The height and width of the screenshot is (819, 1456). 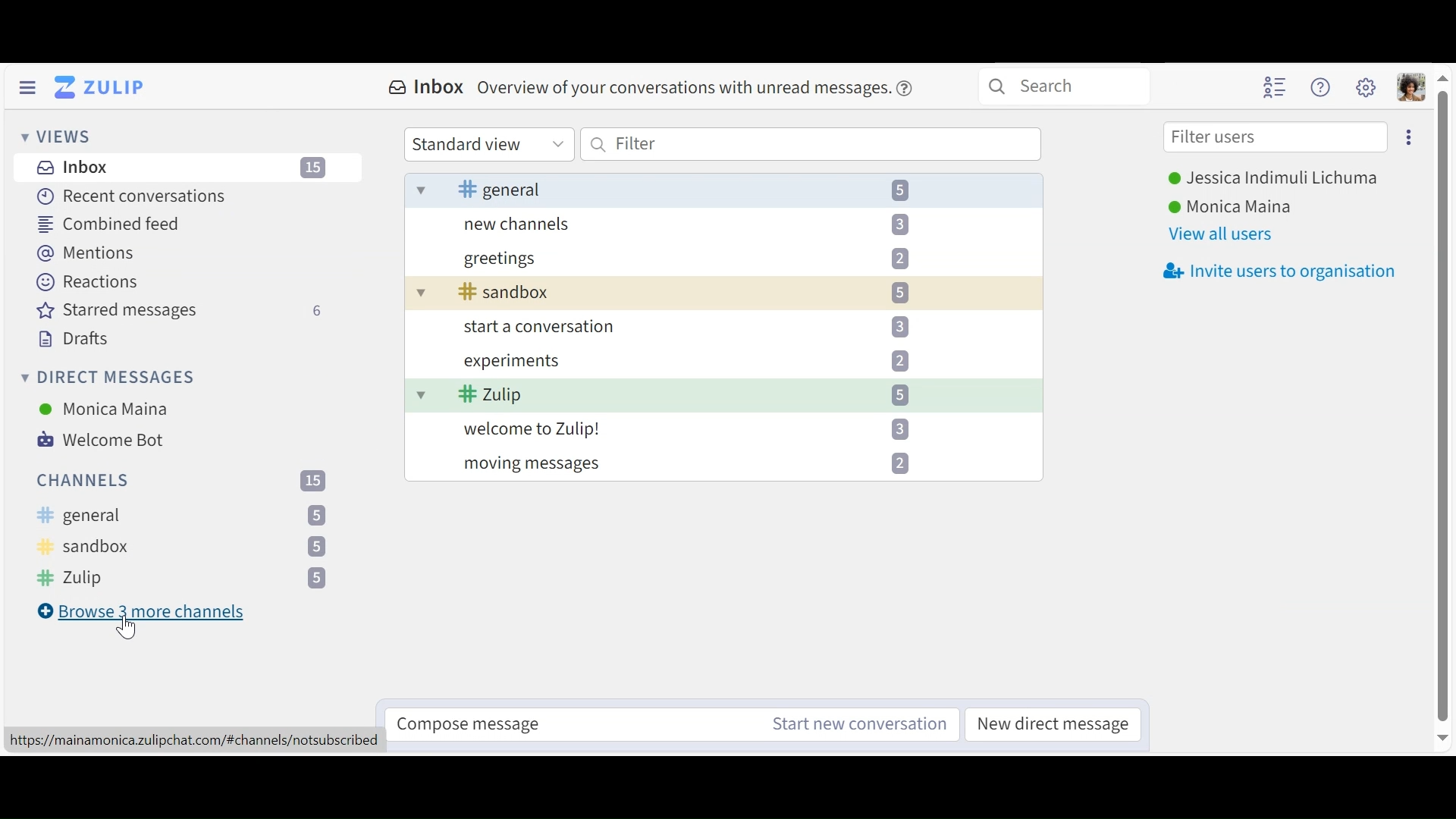 What do you see at coordinates (136, 196) in the screenshot?
I see `Recent Conversations` at bounding box center [136, 196].